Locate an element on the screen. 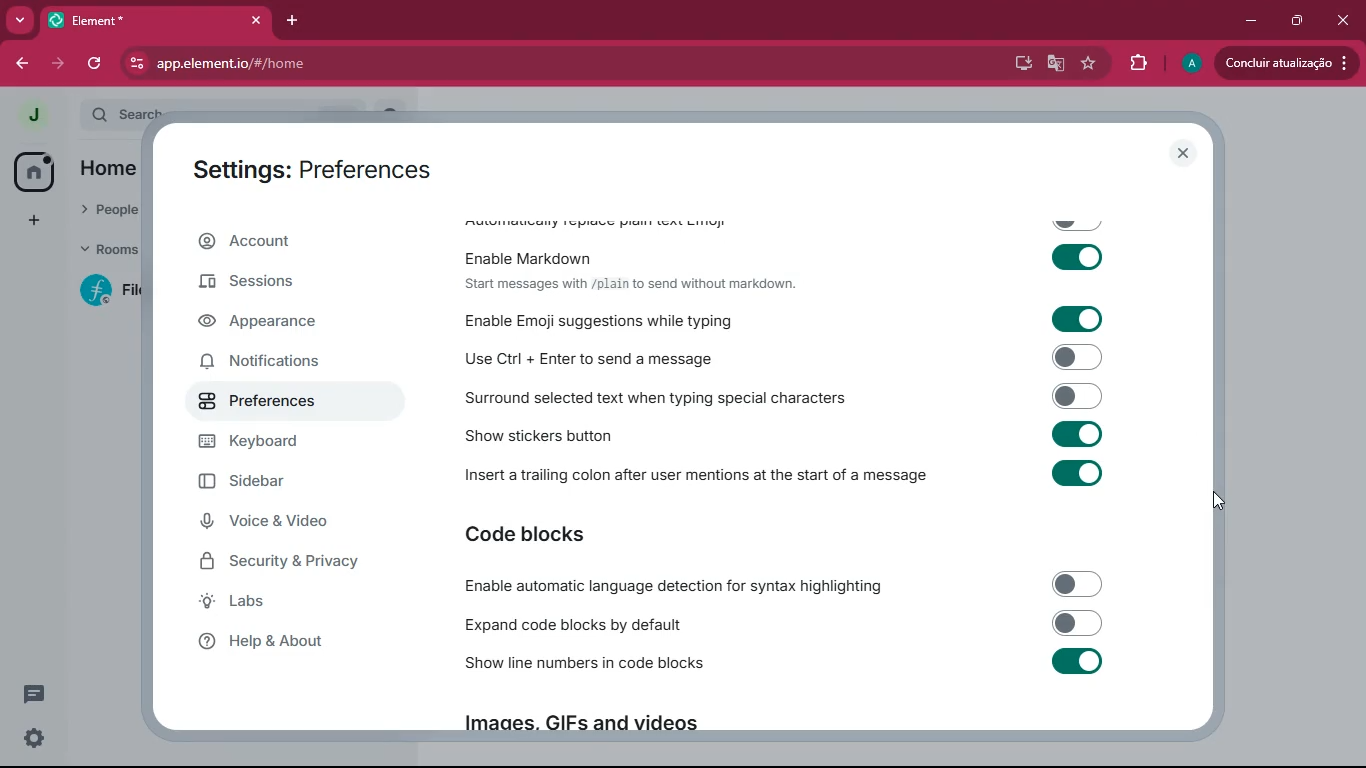 This screenshot has height=768, width=1366. close is located at coordinates (1184, 154).